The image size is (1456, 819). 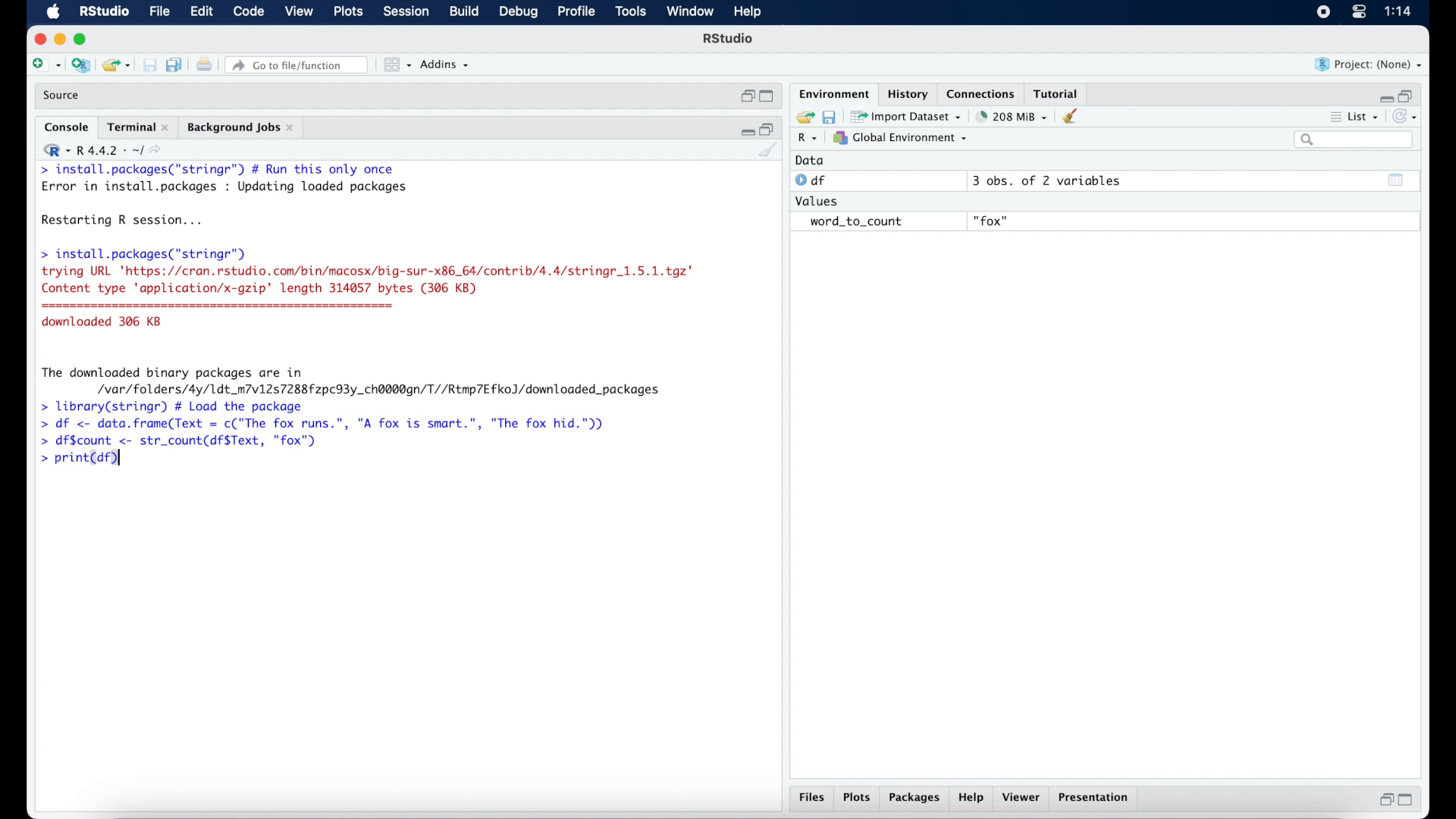 What do you see at coordinates (103, 12) in the screenshot?
I see `R Studio` at bounding box center [103, 12].